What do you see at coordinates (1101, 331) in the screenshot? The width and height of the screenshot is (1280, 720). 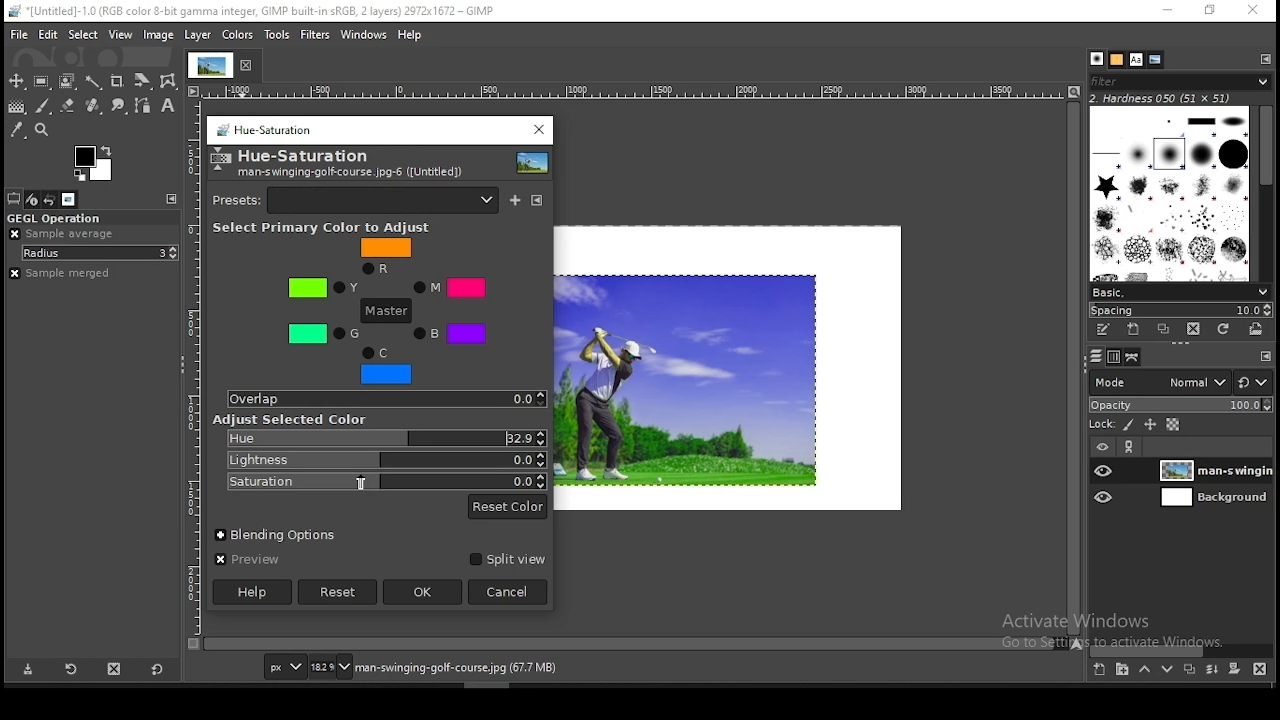 I see `edit this brush` at bounding box center [1101, 331].